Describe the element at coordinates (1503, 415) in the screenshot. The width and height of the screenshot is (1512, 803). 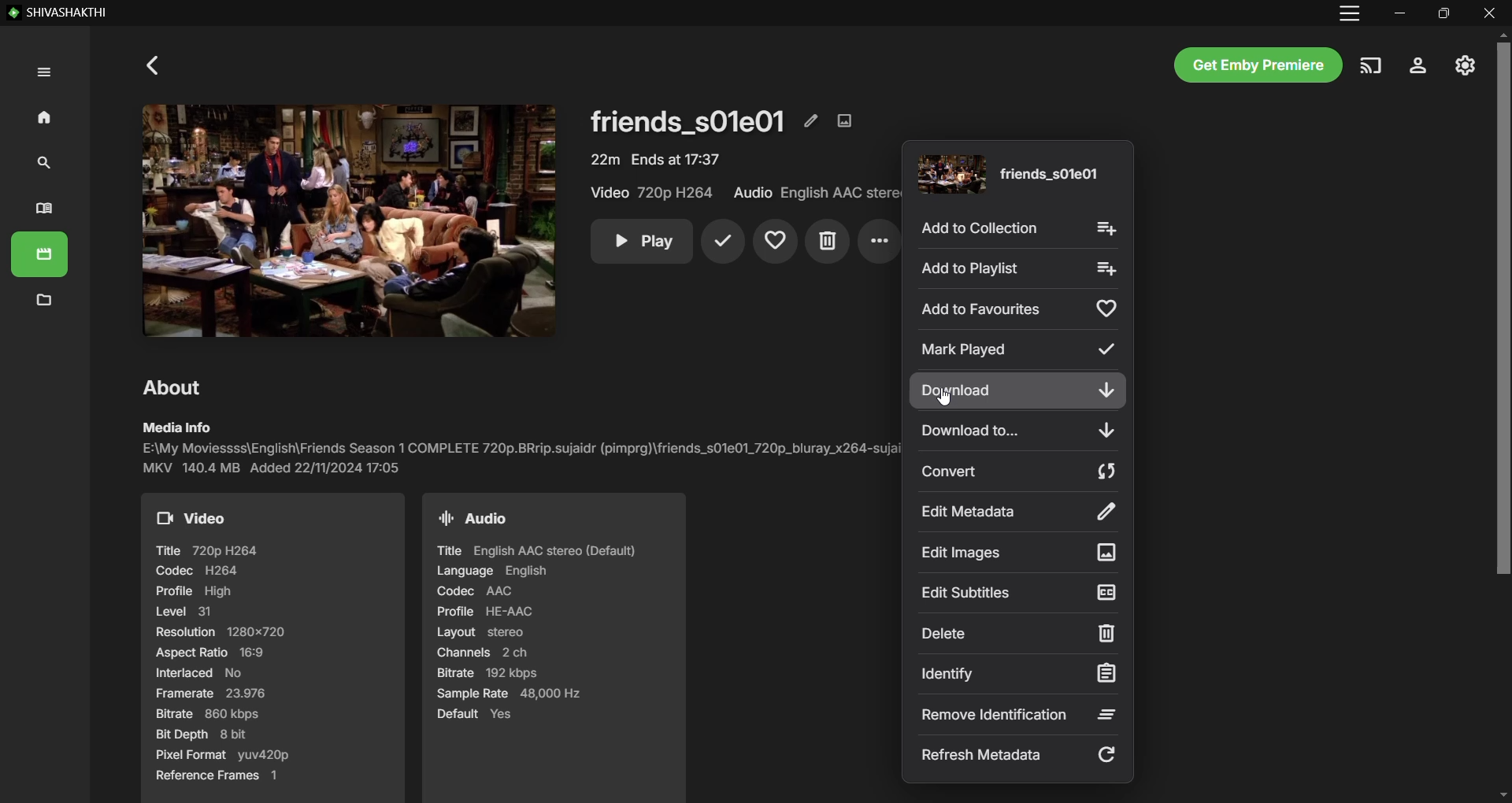
I see `Vertical Scroll Bar` at that location.